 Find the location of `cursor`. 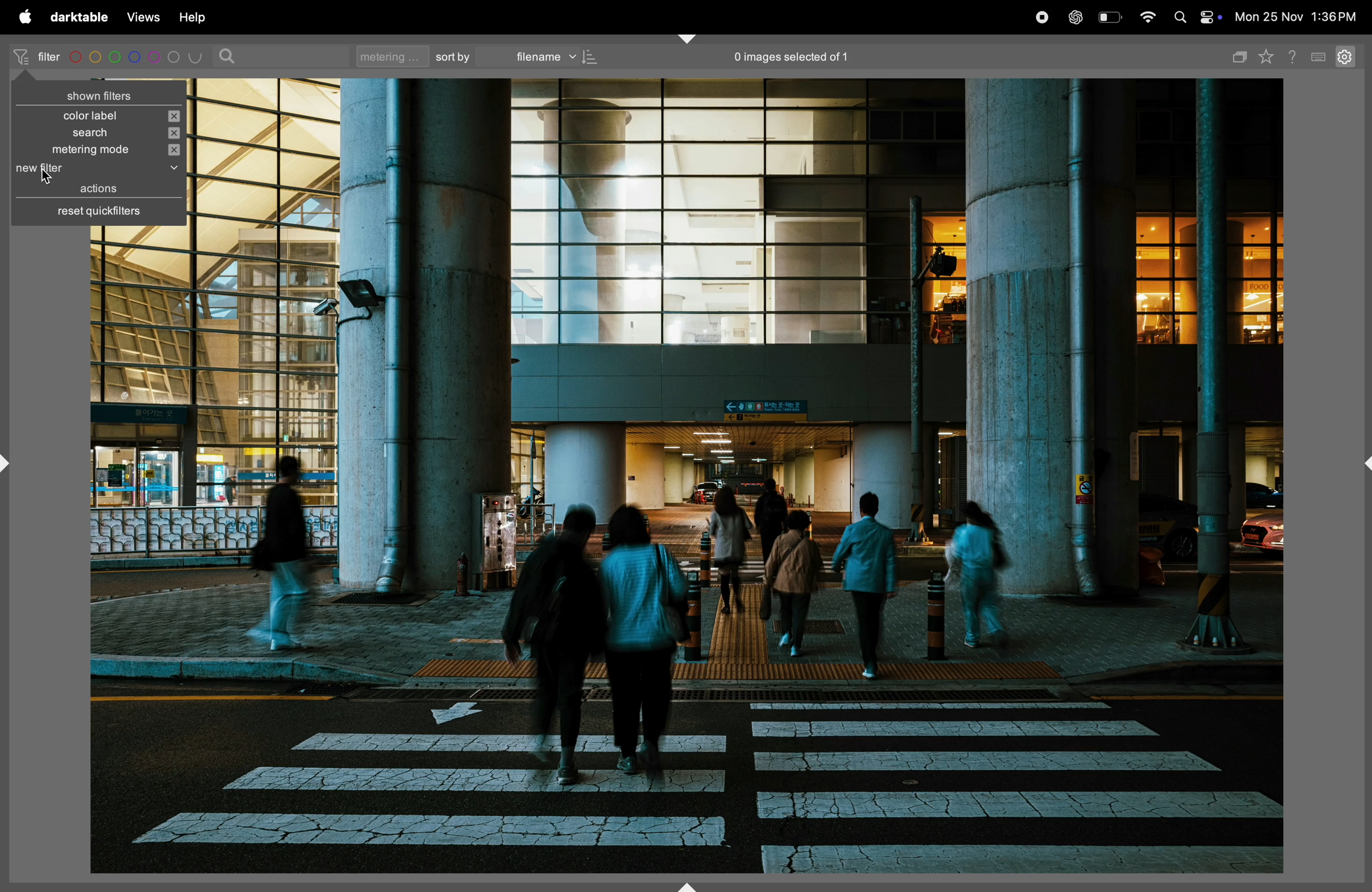

cursor is located at coordinates (48, 175).